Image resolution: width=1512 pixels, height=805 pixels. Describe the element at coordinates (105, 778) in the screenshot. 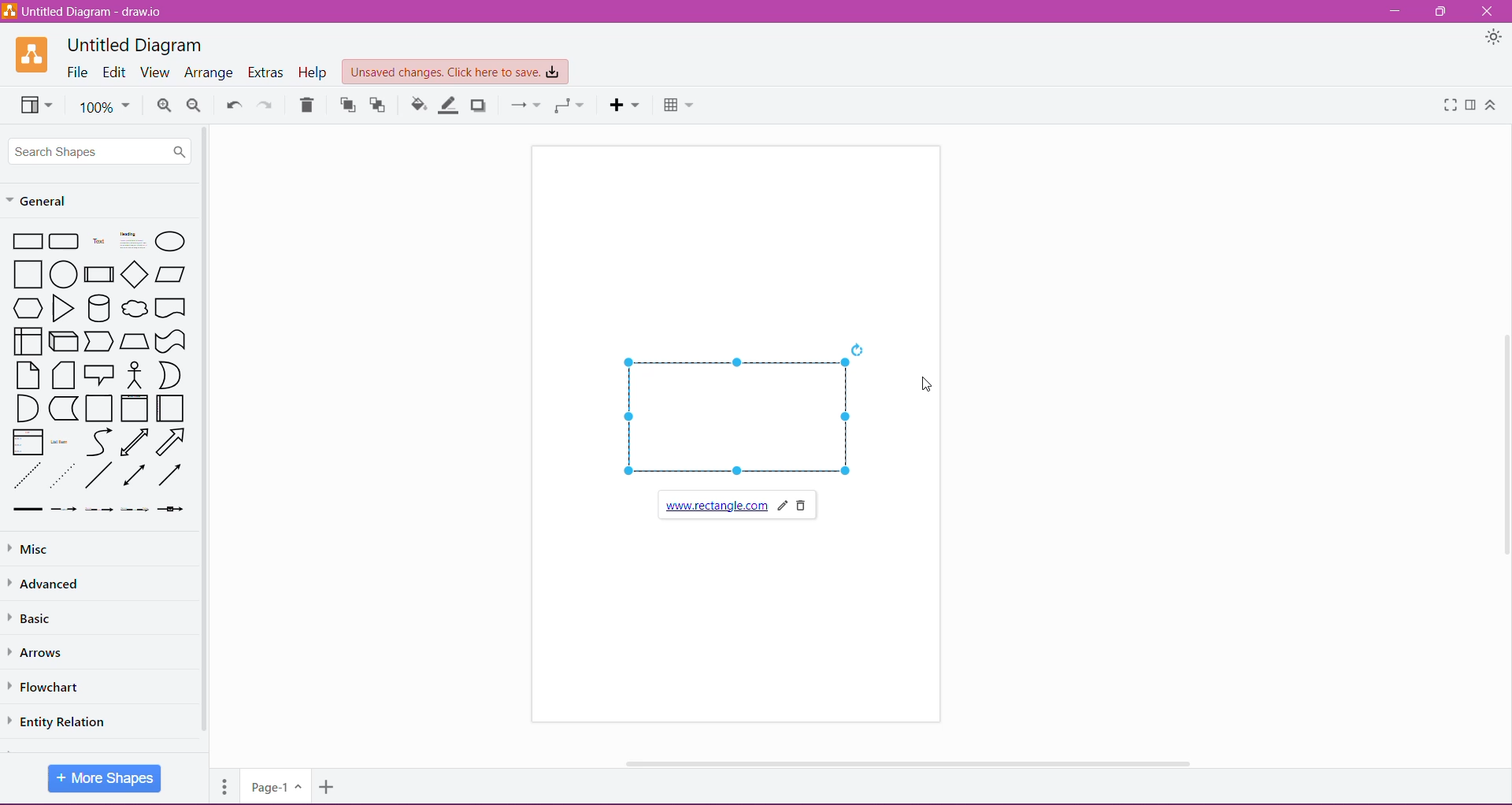

I see `More Shapes` at that location.